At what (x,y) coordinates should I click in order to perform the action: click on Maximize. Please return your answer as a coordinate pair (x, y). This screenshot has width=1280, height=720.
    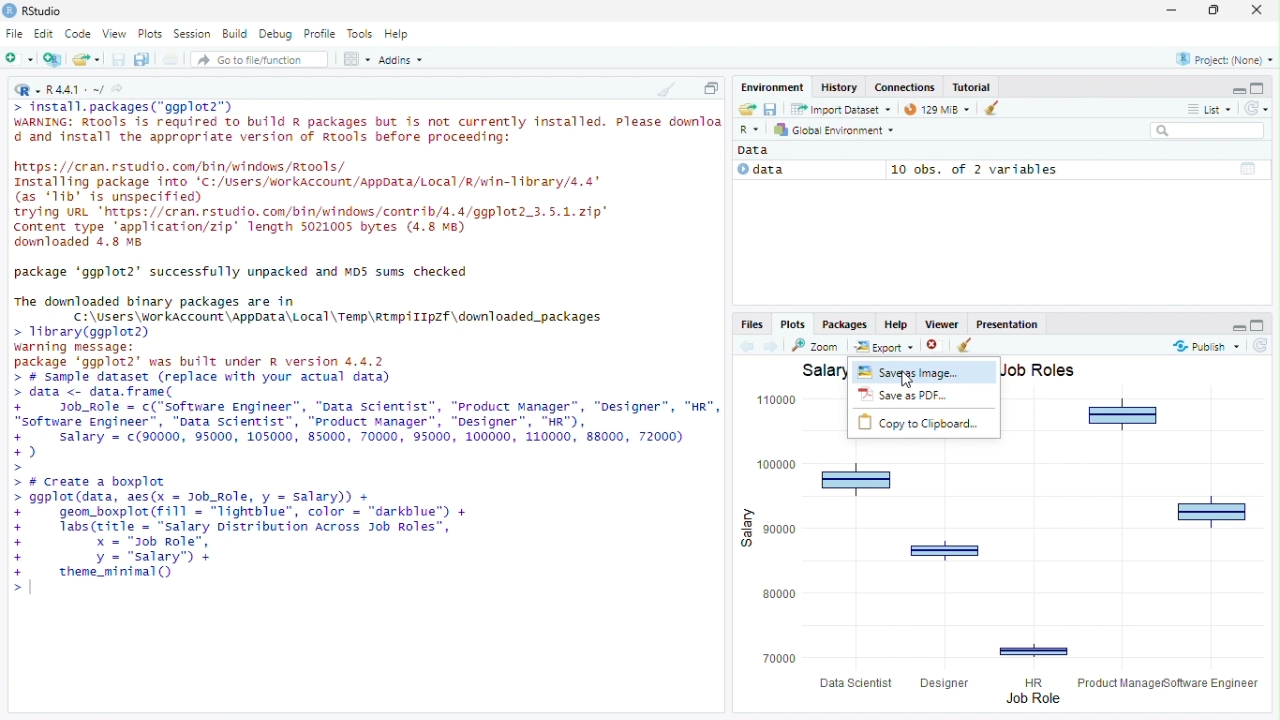
    Looking at the image, I should click on (1262, 86).